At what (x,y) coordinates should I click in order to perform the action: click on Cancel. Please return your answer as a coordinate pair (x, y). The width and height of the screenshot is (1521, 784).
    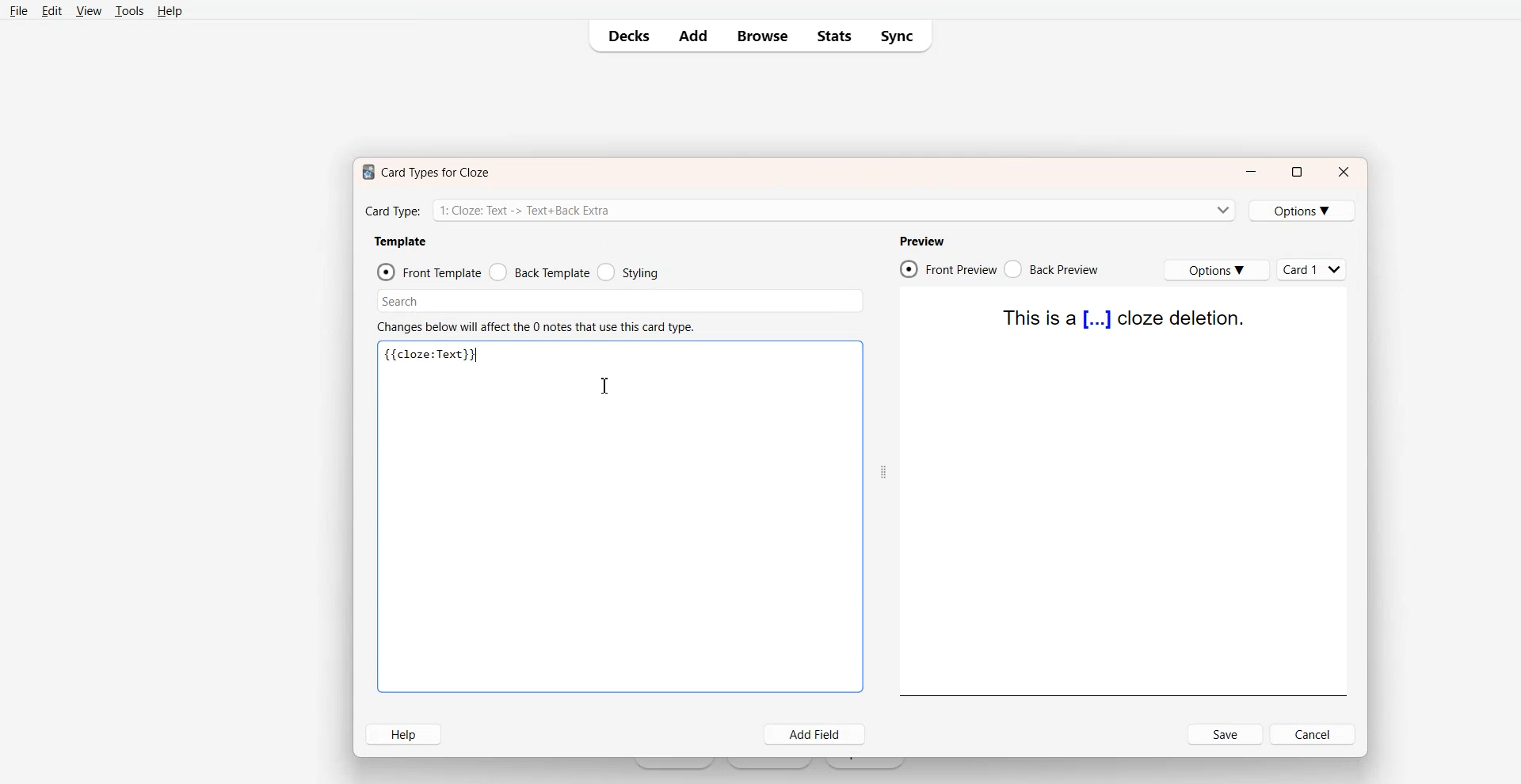
    Looking at the image, I should click on (1314, 734).